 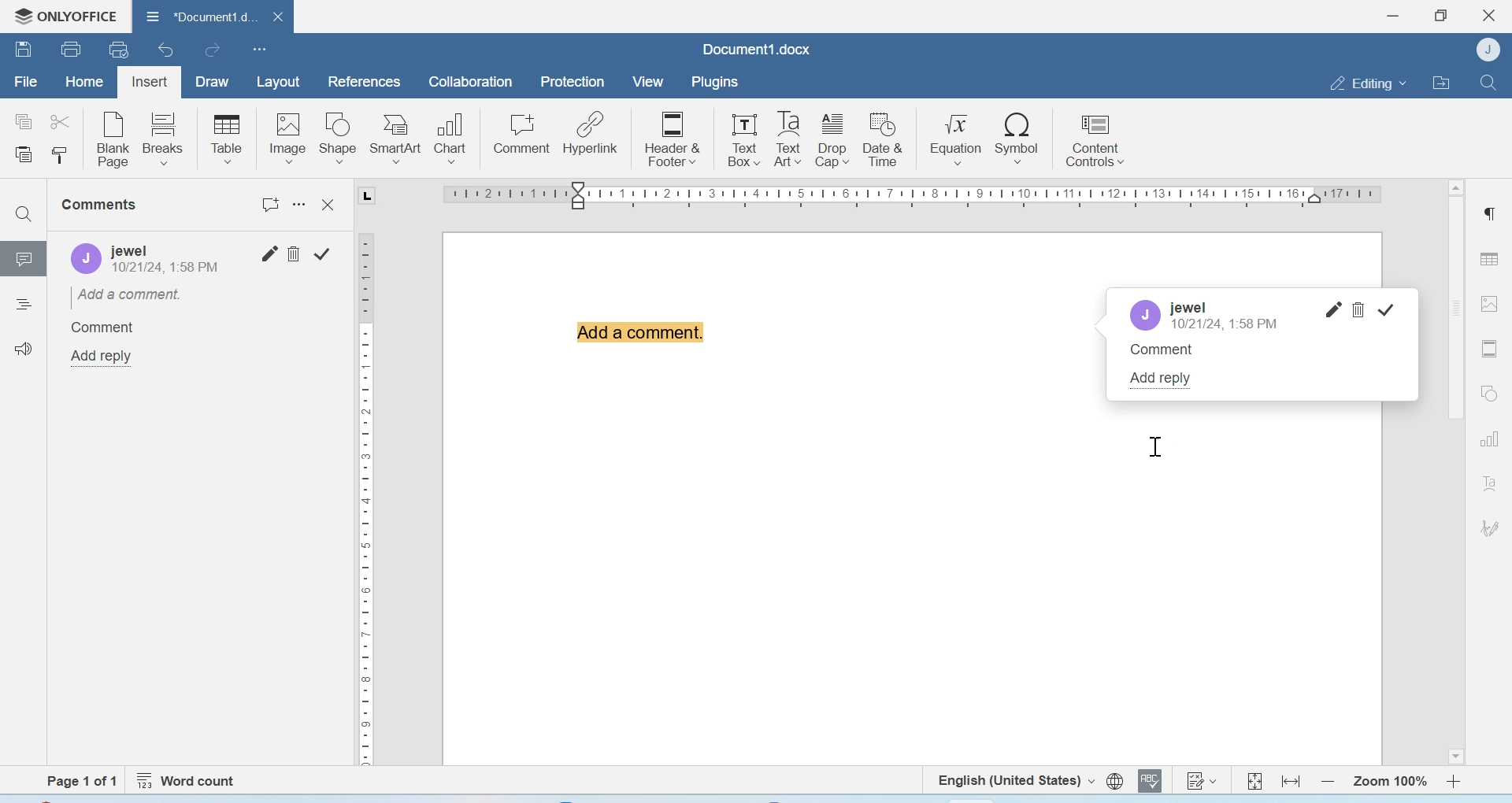 What do you see at coordinates (1154, 446) in the screenshot?
I see `cursor` at bounding box center [1154, 446].